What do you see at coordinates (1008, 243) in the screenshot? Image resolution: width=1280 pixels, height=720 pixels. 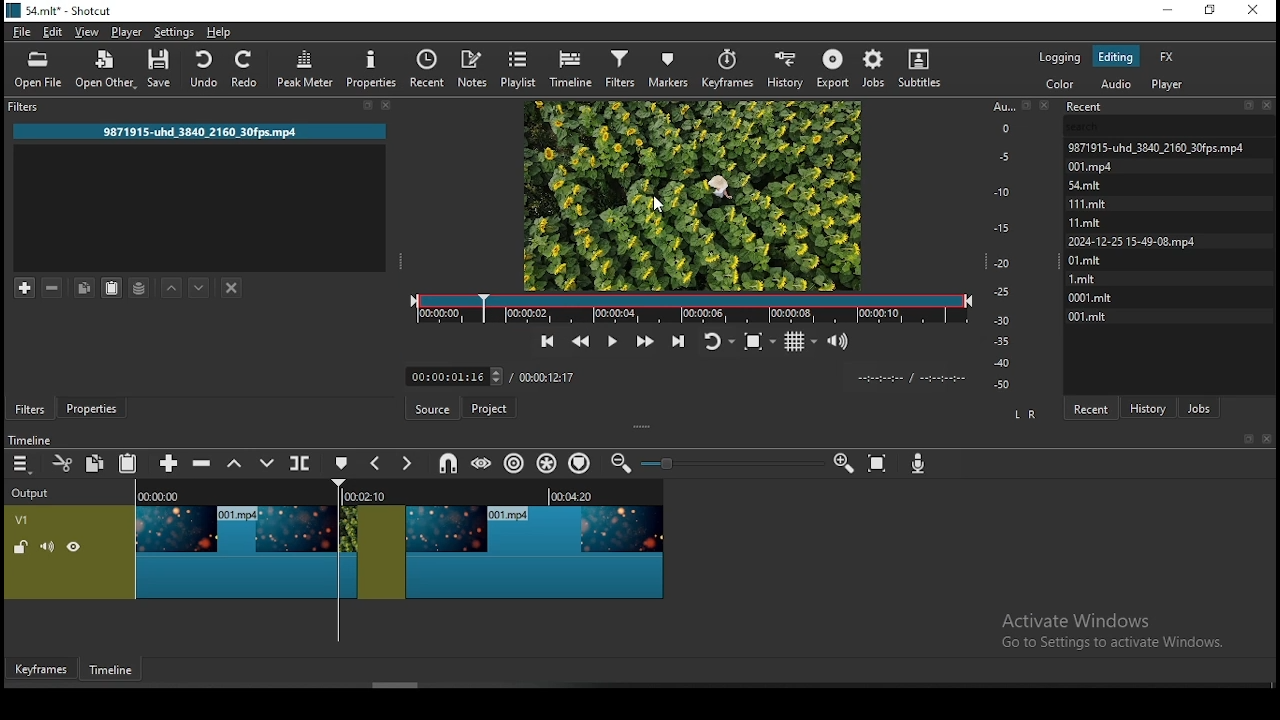 I see `scale` at bounding box center [1008, 243].